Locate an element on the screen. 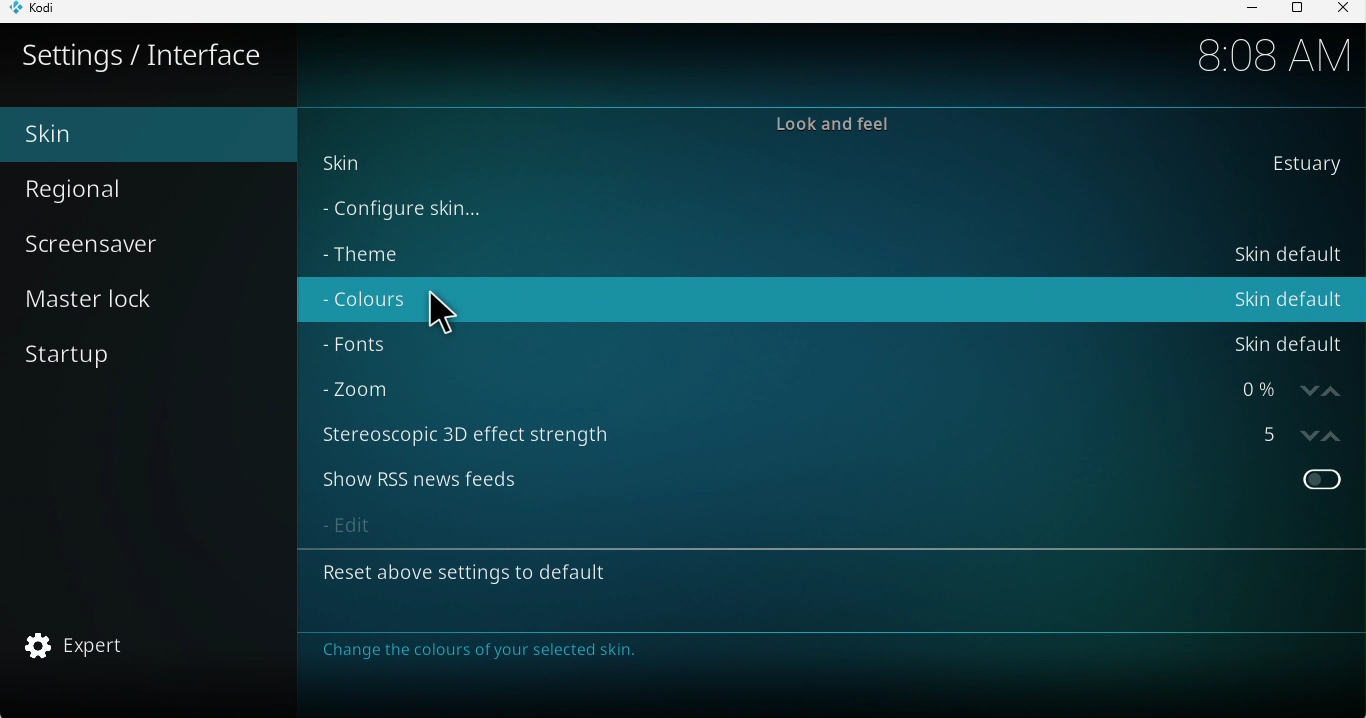 The image size is (1366, 718). Fonts is located at coordinates (830, 340).